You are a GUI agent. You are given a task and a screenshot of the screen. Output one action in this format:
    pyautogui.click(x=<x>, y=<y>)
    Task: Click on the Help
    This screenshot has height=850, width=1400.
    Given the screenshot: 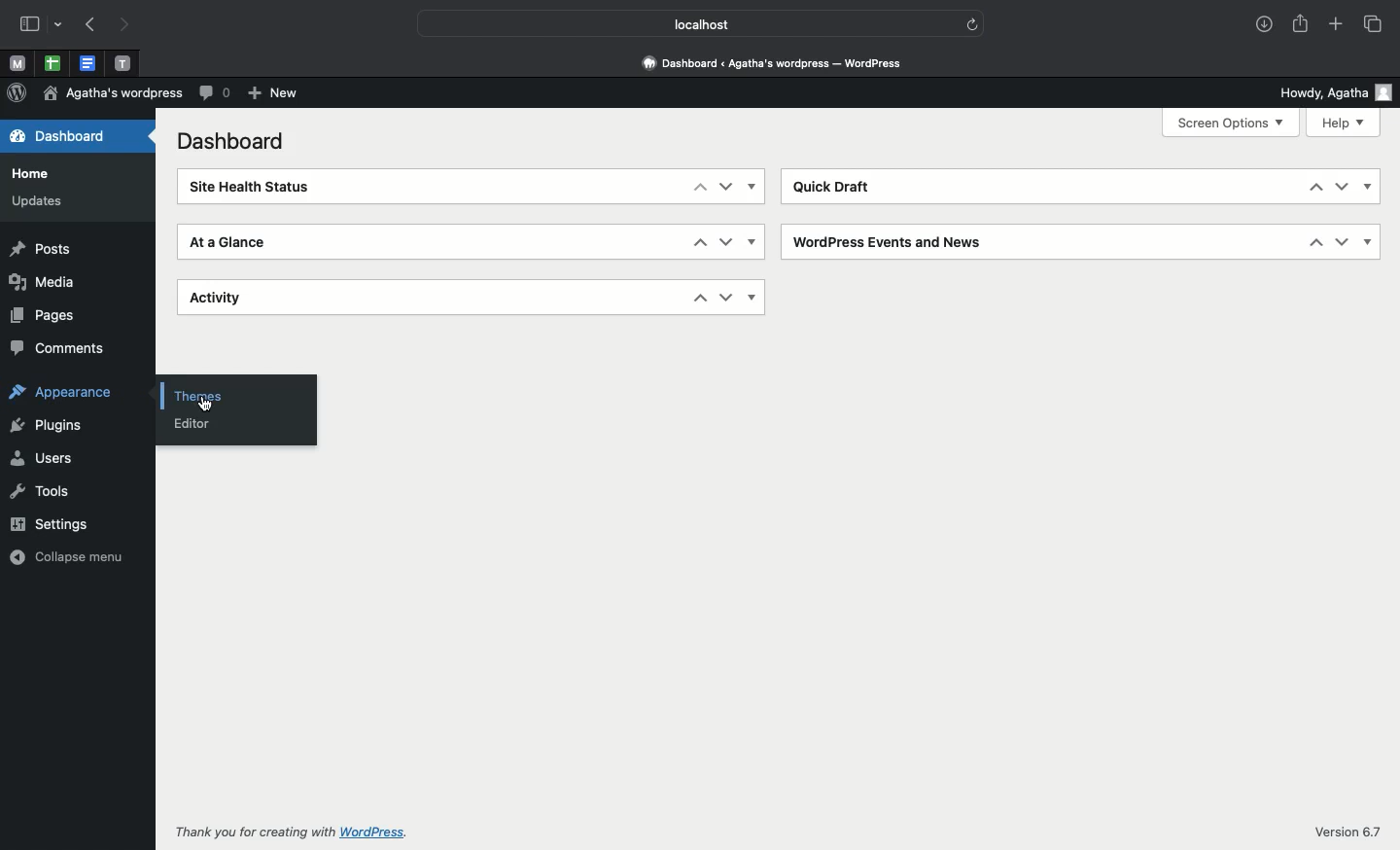 What is the action you would take?
    pyautogui.click(x=1343, y=124)
    